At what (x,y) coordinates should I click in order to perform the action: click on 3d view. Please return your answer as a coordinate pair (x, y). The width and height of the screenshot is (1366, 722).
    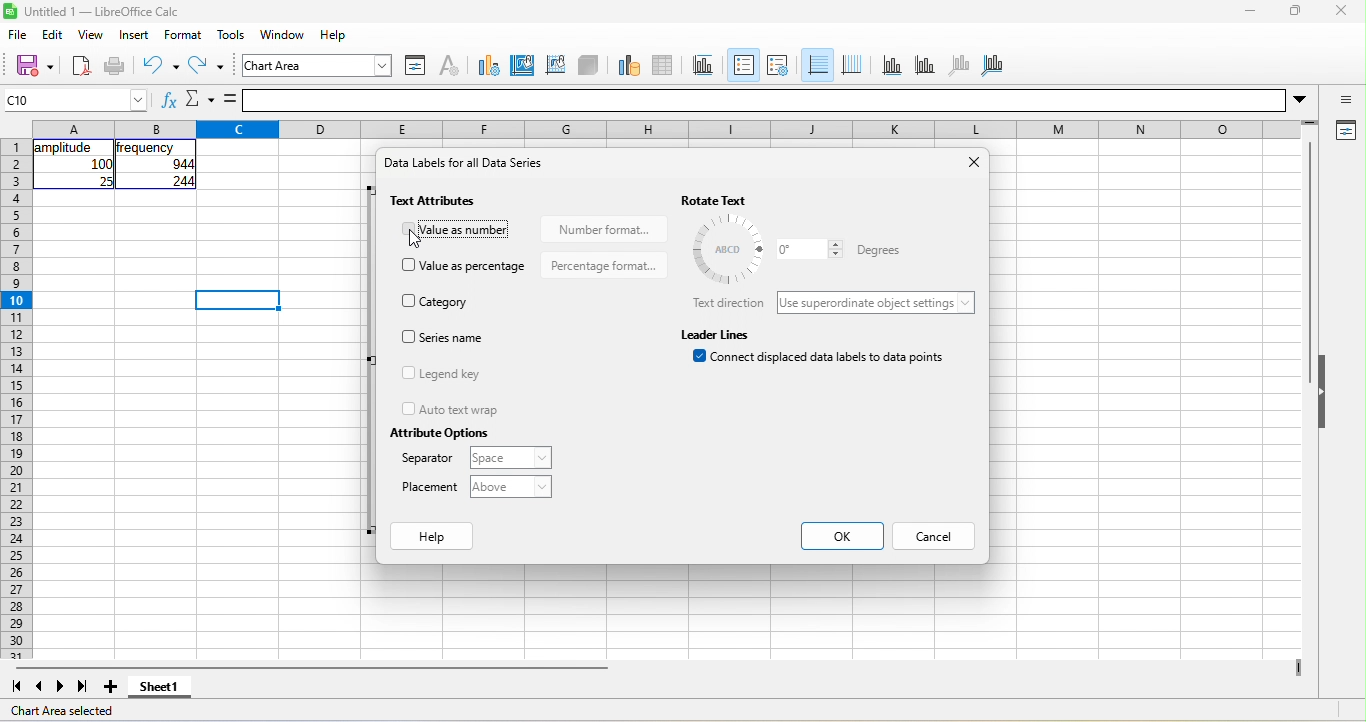
    Looking at the image, I should click on (589, 64).